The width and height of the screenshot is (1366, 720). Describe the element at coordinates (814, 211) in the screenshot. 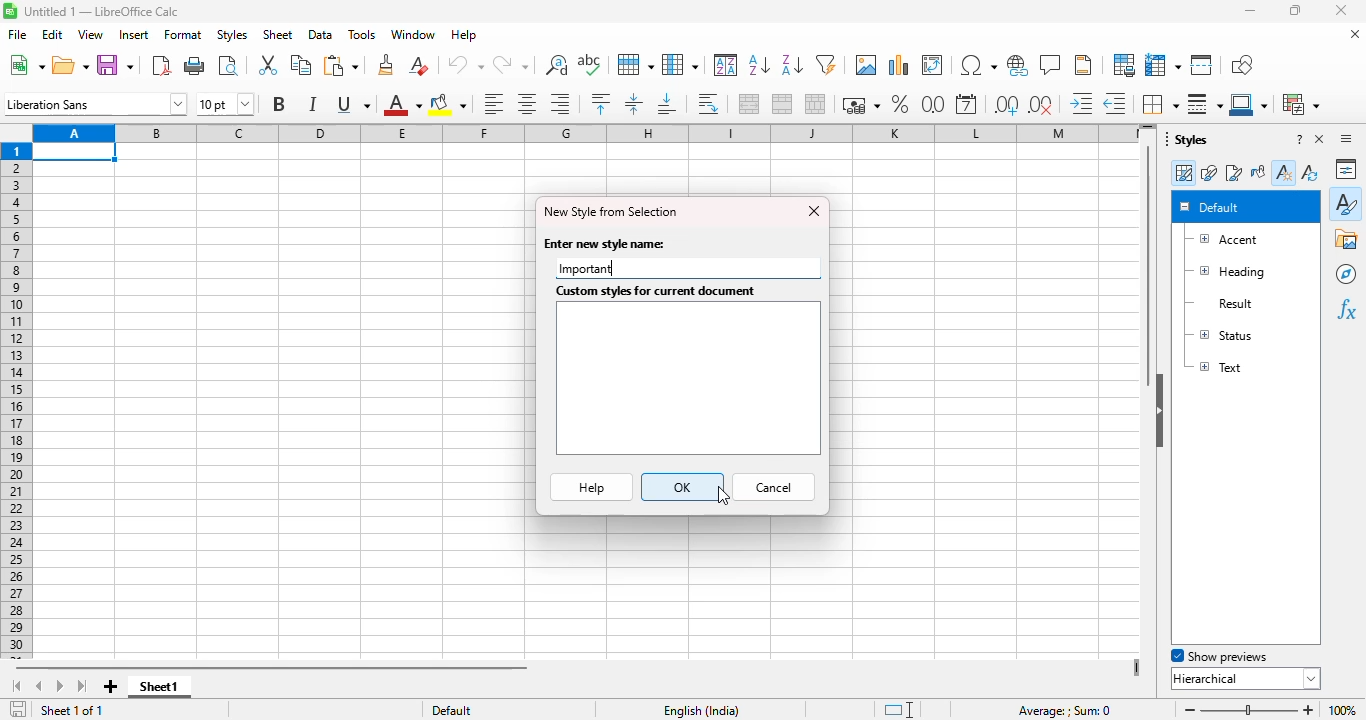

I see `close` at that location.